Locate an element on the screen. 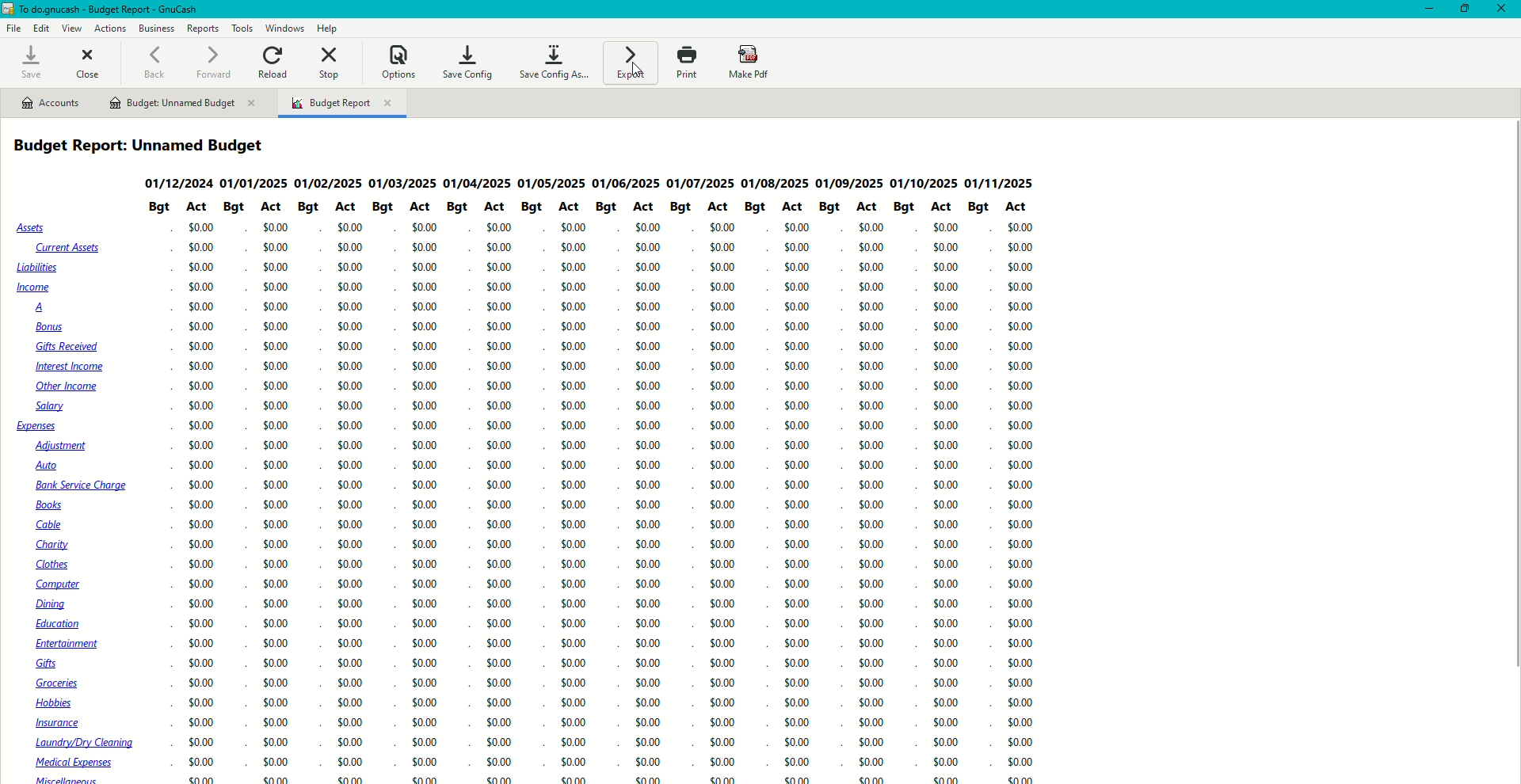  0.00 is located at coordinates (204, 485).